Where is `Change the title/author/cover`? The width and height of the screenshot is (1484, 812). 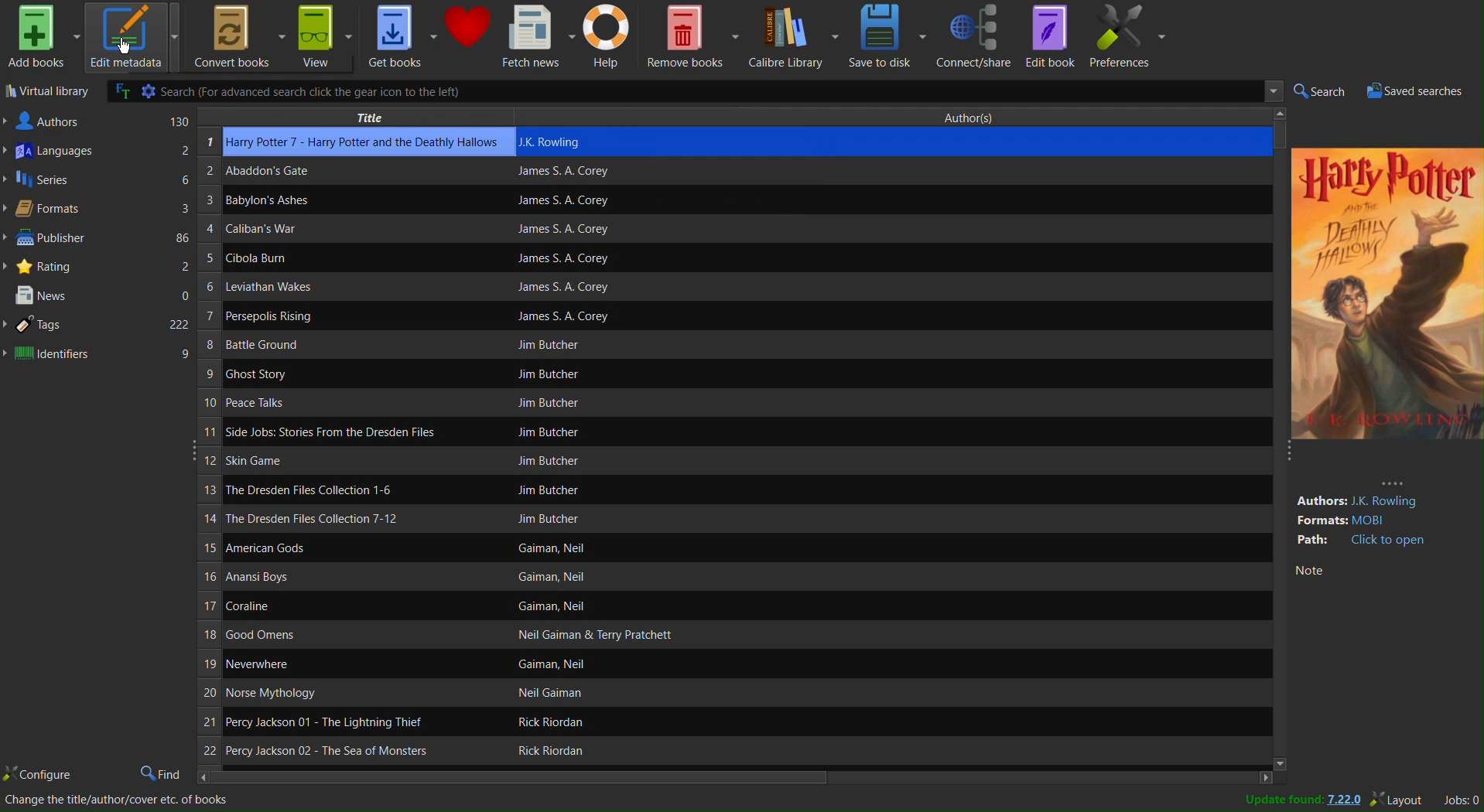 Change the title/author/cover is located at coordinates (118, 802).